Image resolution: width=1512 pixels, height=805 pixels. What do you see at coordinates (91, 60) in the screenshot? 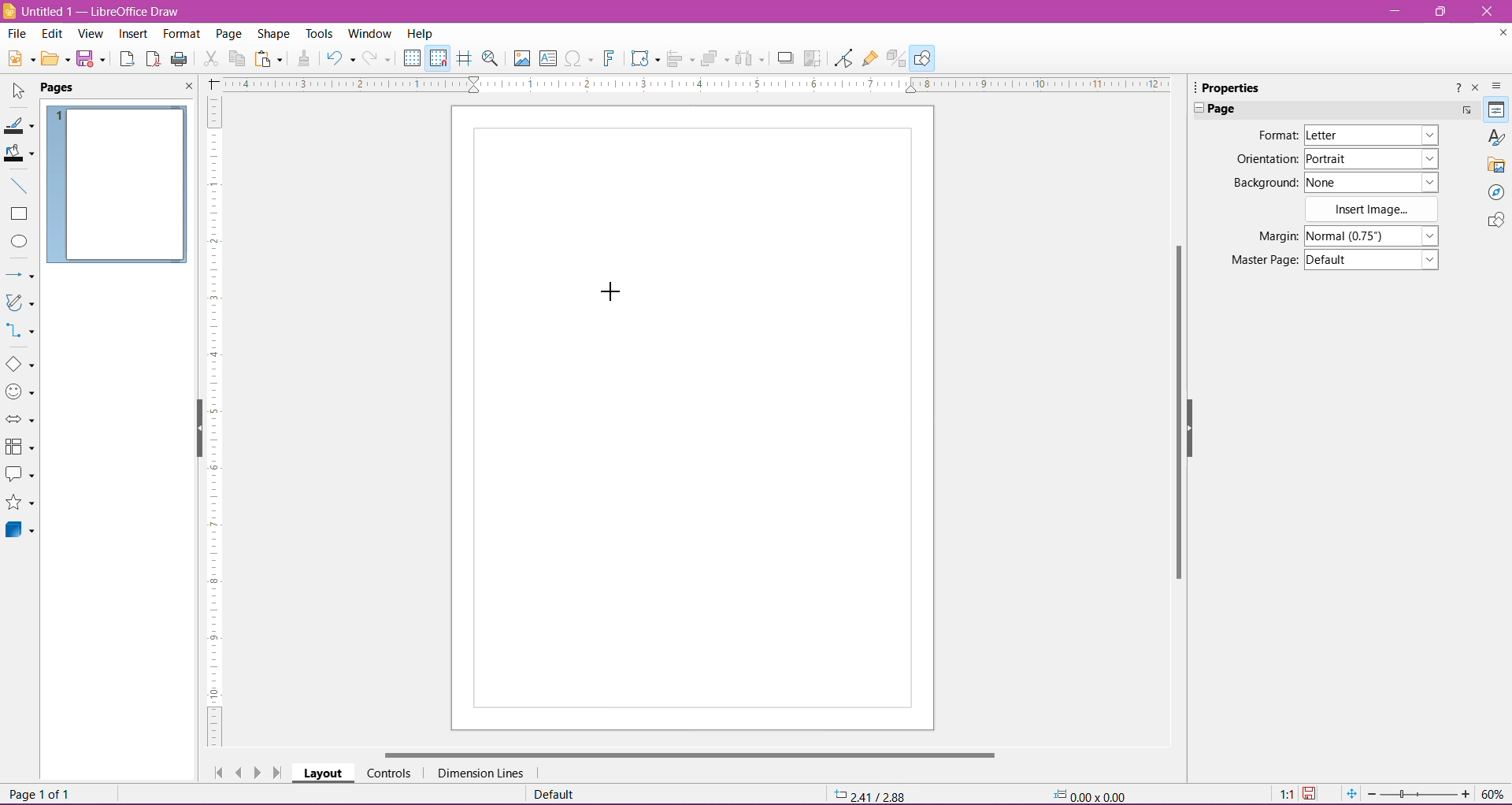
I see `Save` at bounding box center [91, 60].